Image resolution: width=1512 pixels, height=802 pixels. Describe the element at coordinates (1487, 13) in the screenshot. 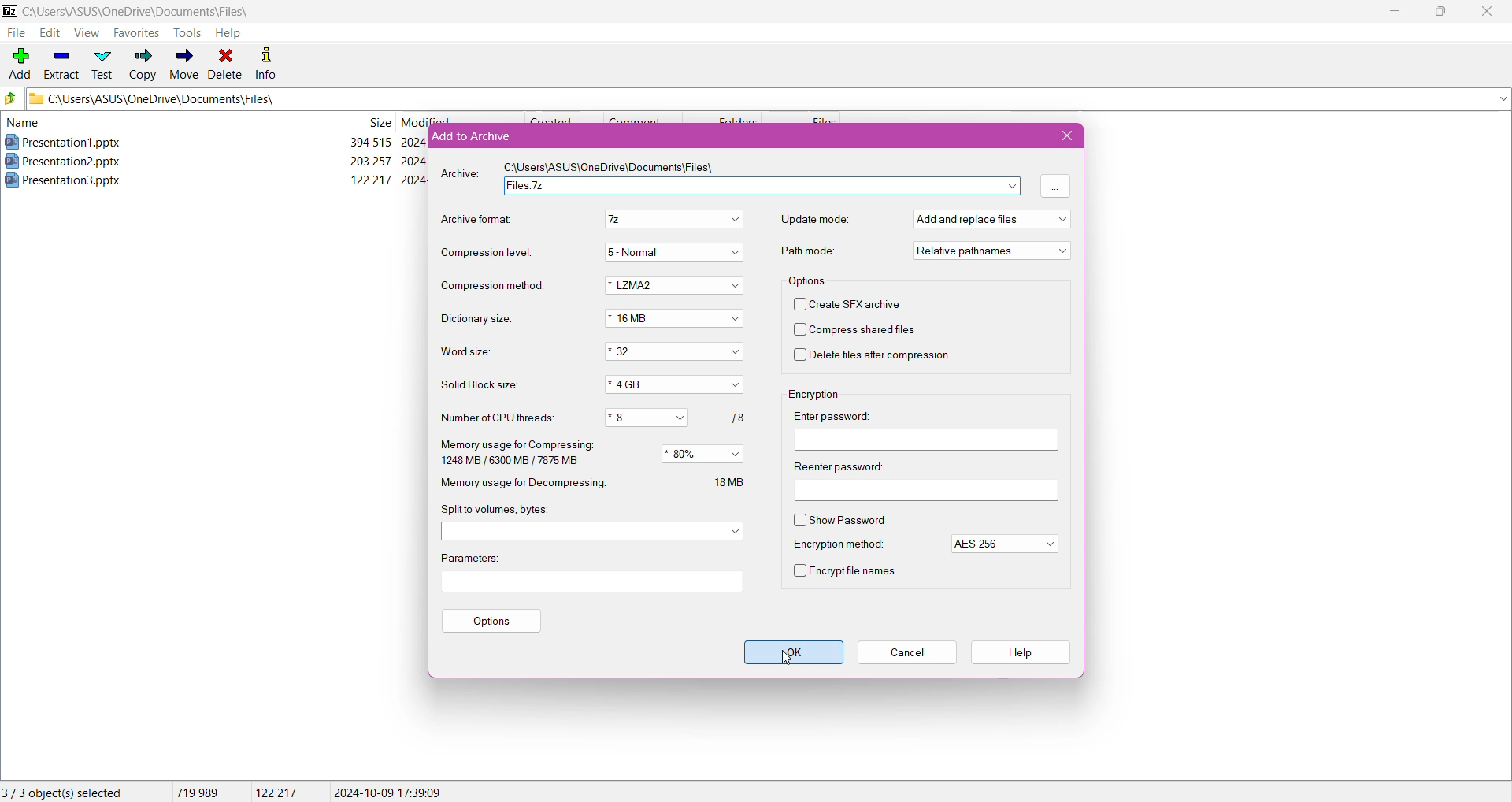

I see `Close` at that location.